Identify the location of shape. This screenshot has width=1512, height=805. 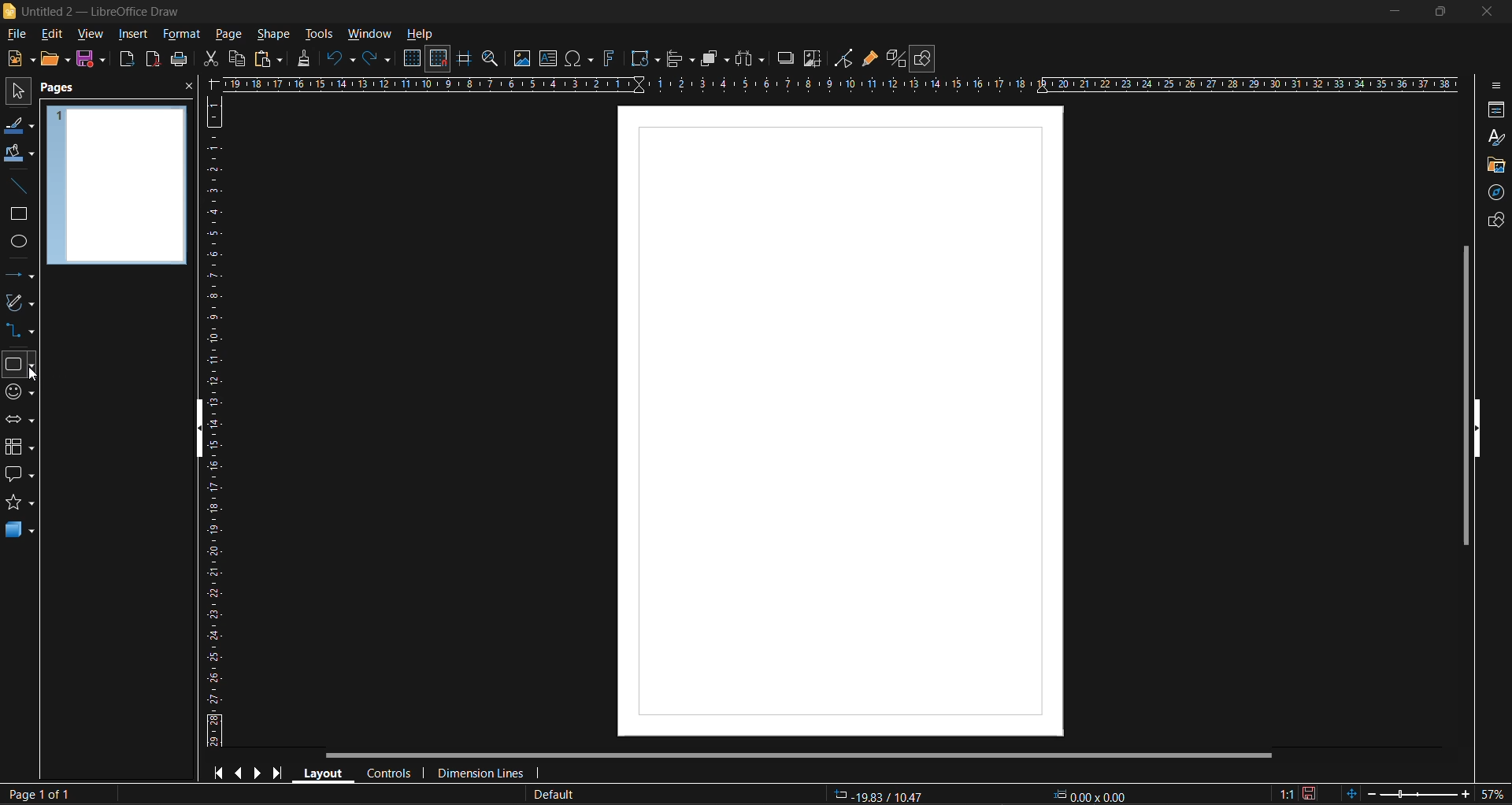
(277, 34).